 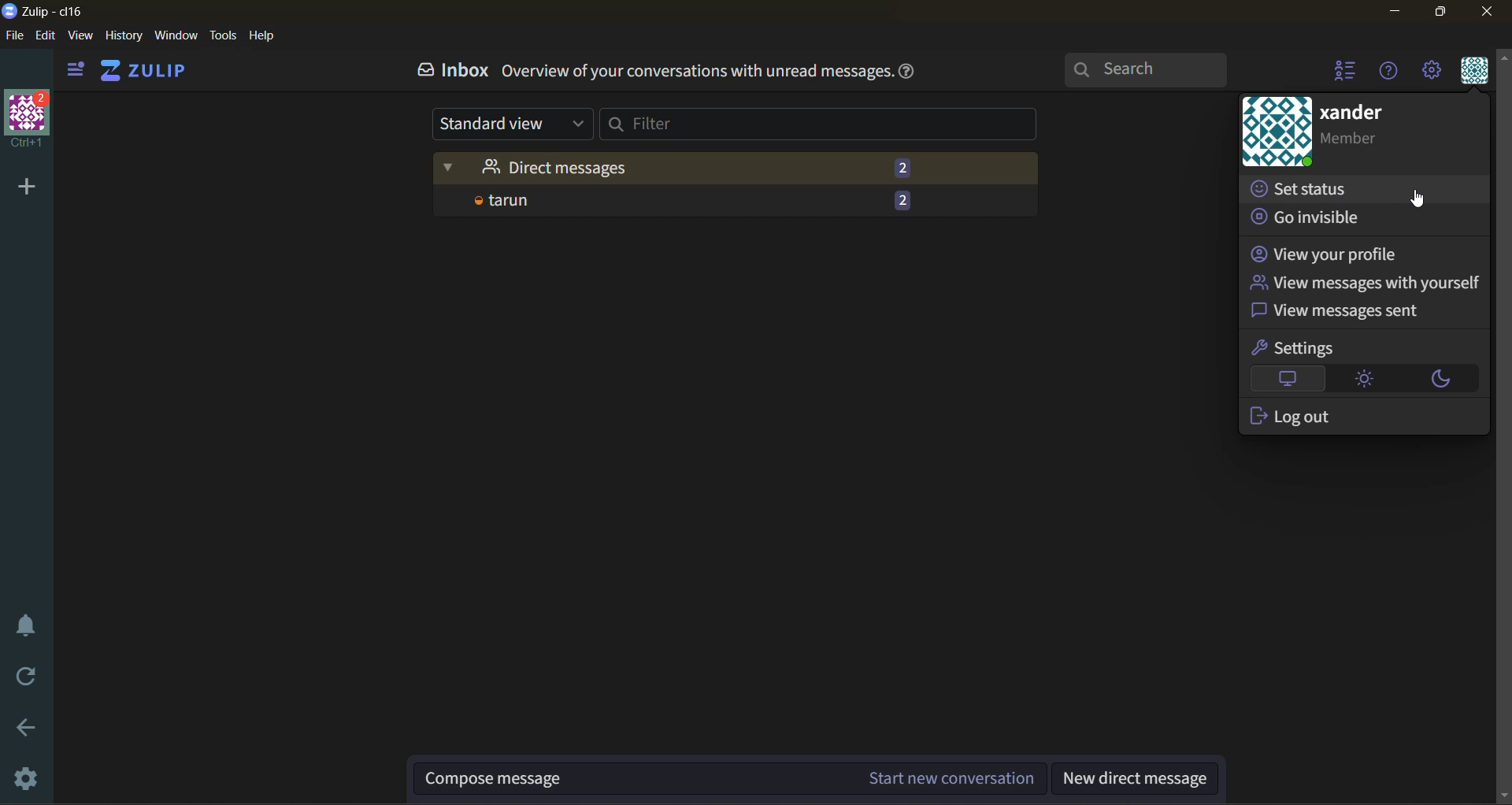 I want to click on hide users list, so click(x=1340, y=71).